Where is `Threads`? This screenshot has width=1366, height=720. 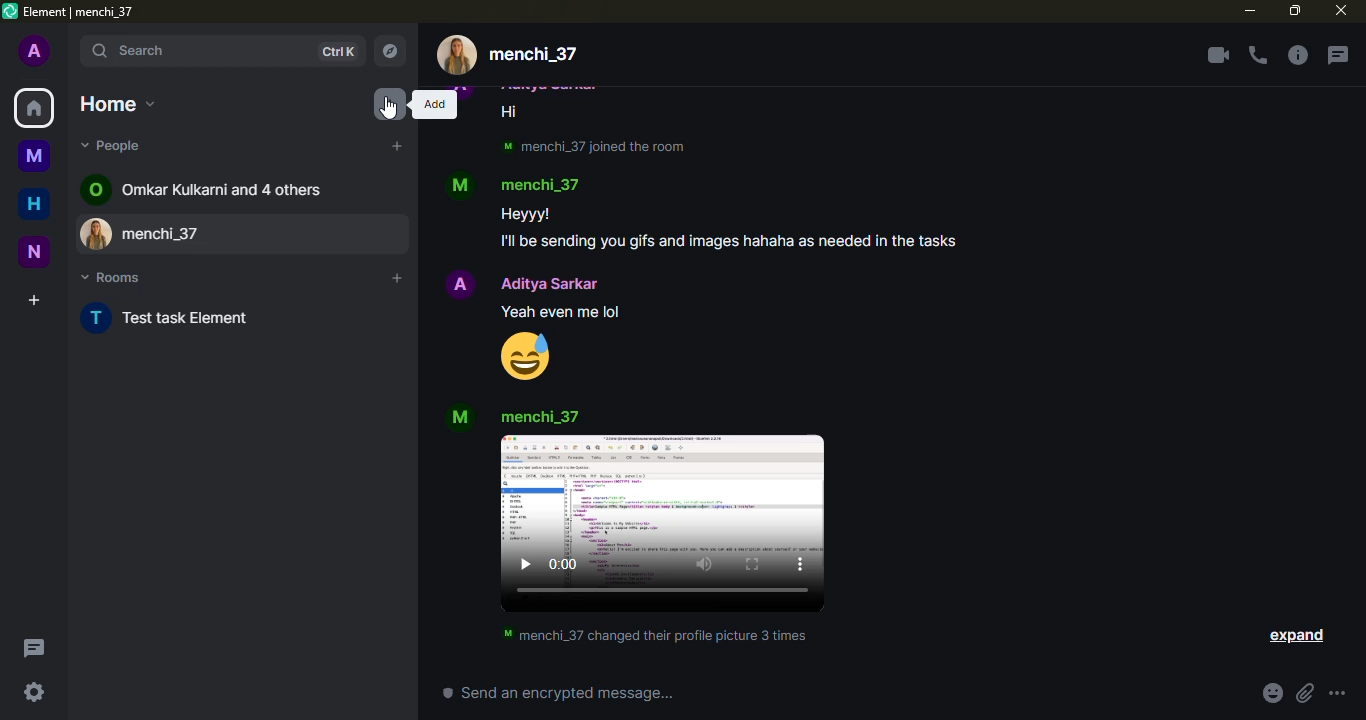 Threads is located at coordinates (35, 648).